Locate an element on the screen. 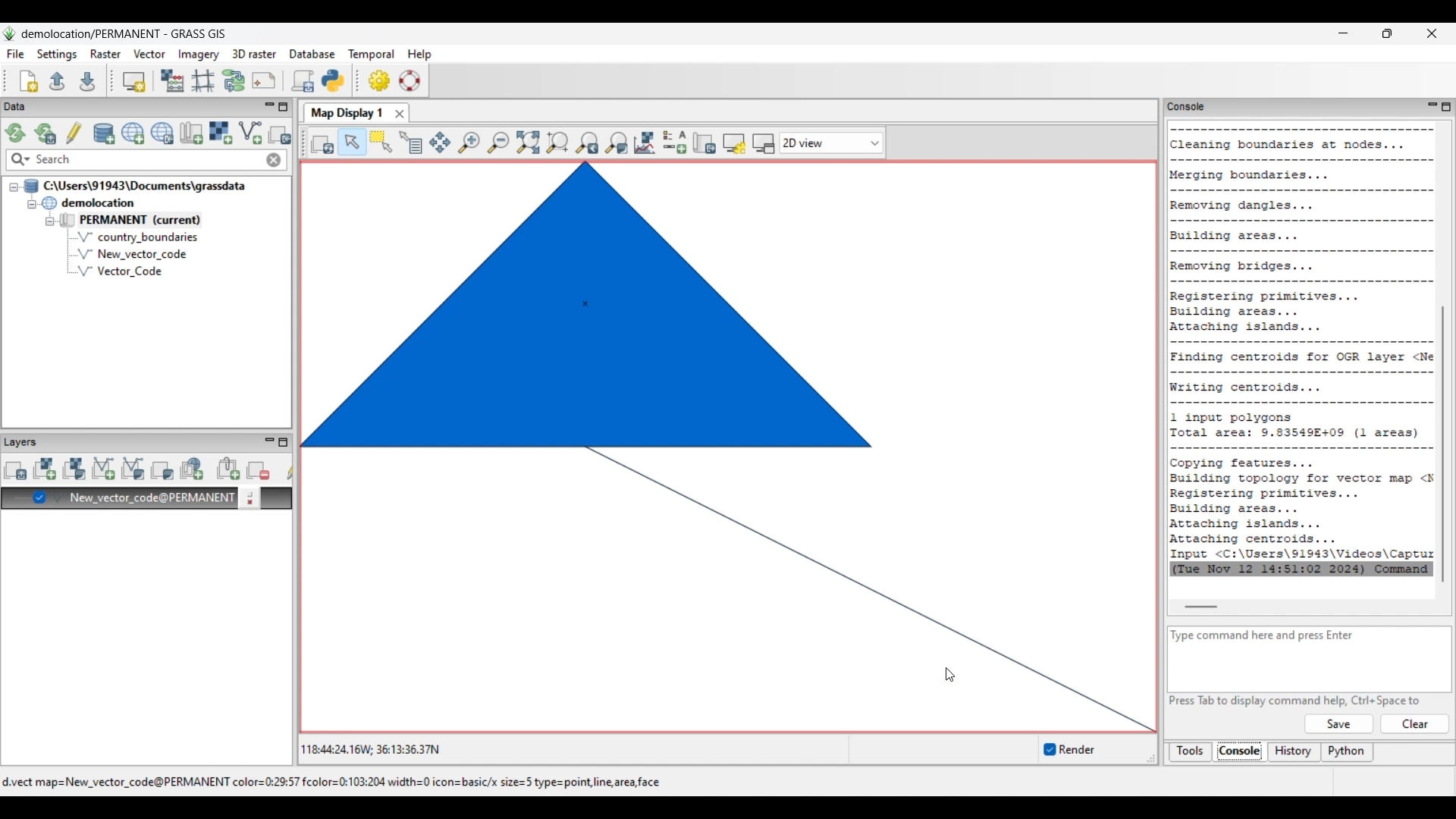  Add group is located at coordinates (228, 469).